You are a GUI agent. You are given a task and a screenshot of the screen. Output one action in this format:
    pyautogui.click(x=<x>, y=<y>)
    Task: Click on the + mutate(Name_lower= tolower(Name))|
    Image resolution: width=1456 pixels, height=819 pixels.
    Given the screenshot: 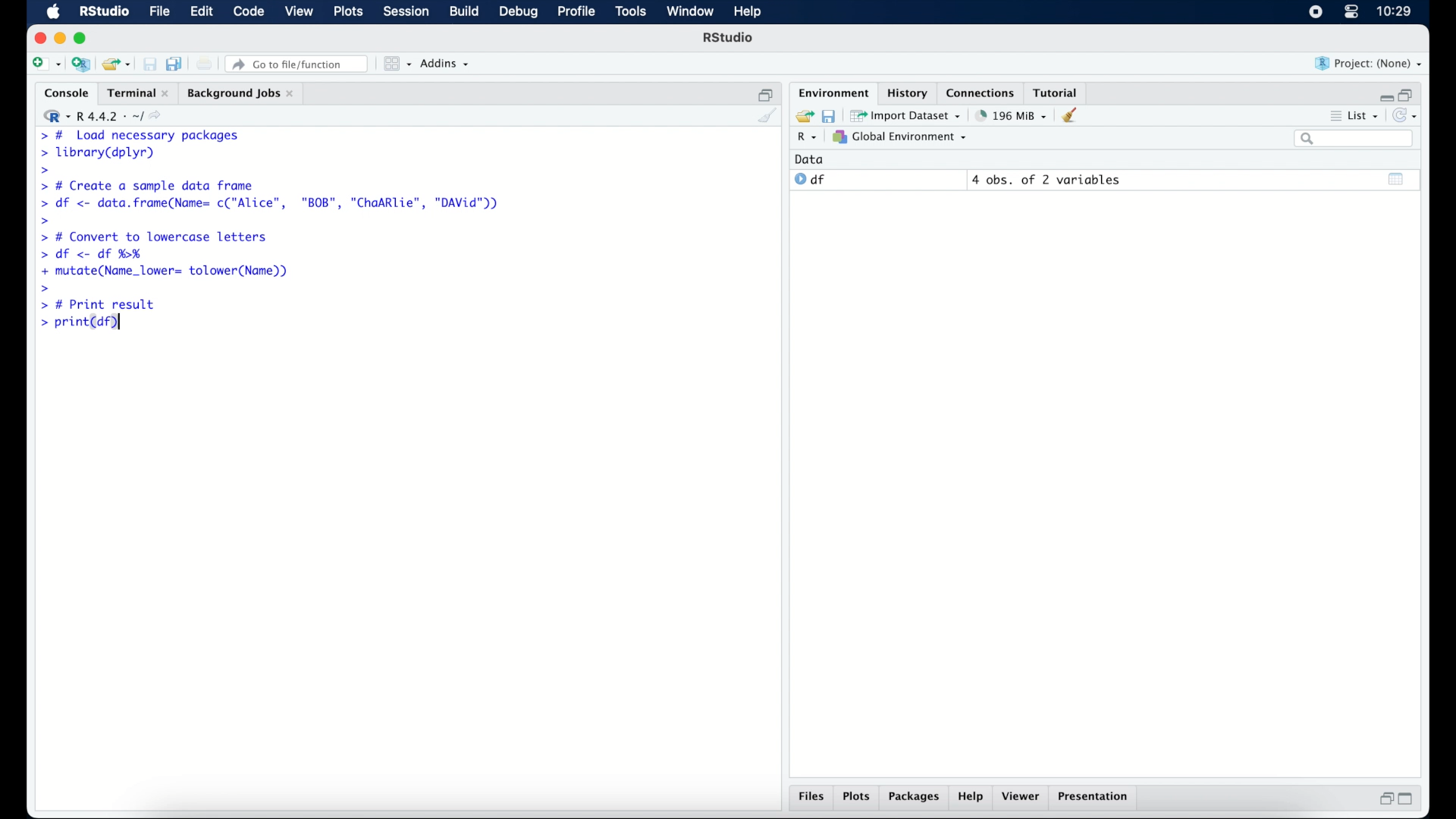 What is the action you would take?
    pyautogui.click(x=168, y=271)
    